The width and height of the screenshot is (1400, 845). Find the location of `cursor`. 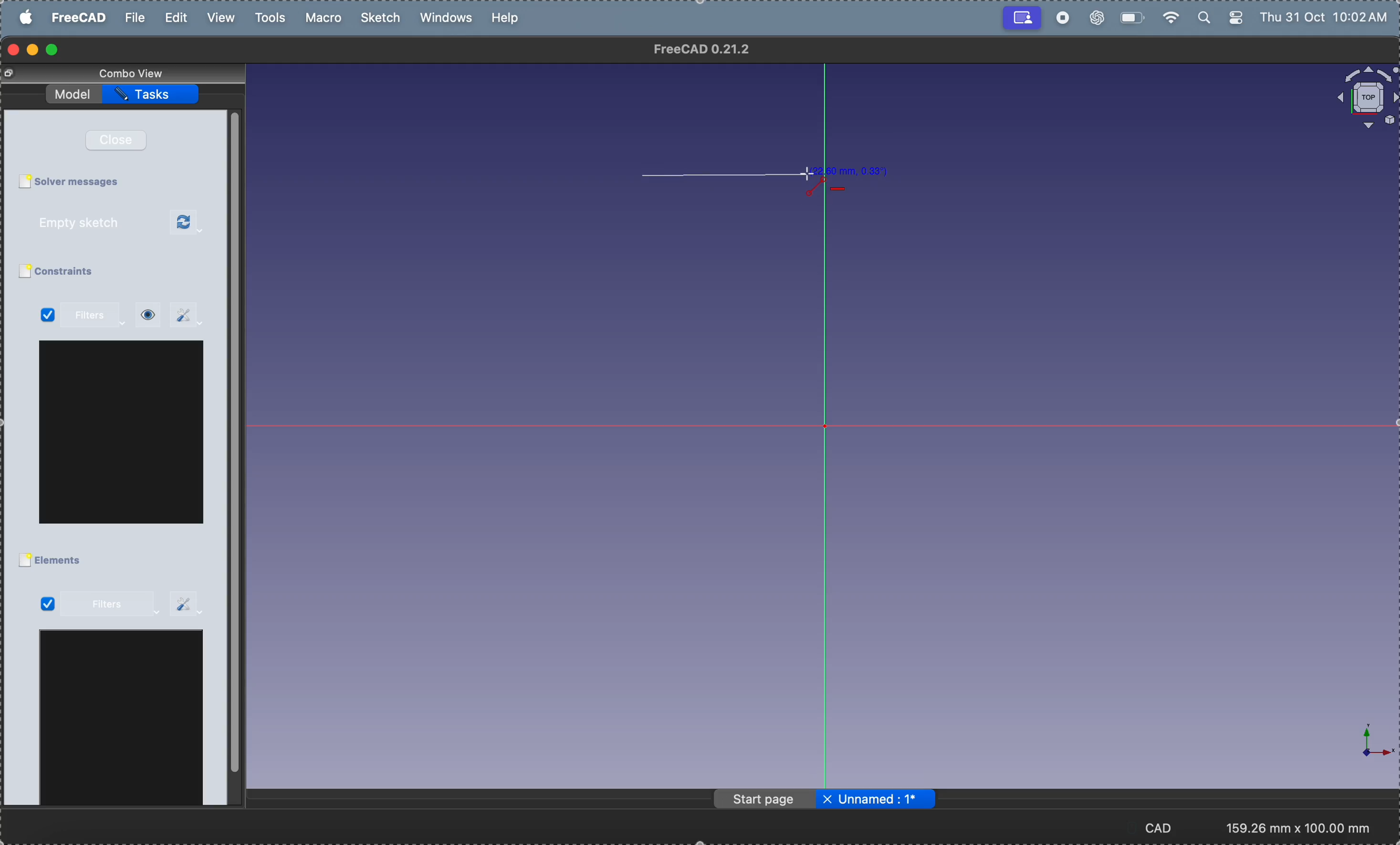

cursor is located at coordinates (806, 174).